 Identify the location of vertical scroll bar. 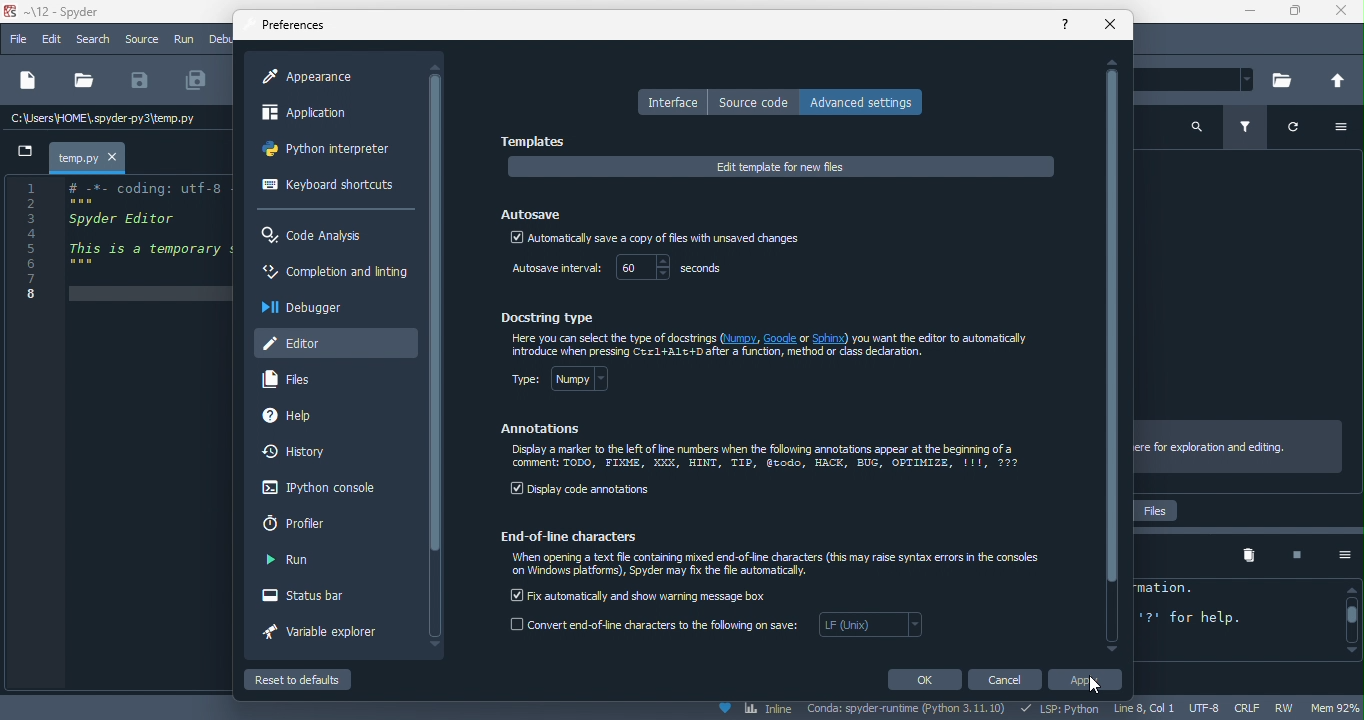
(1350, 620).